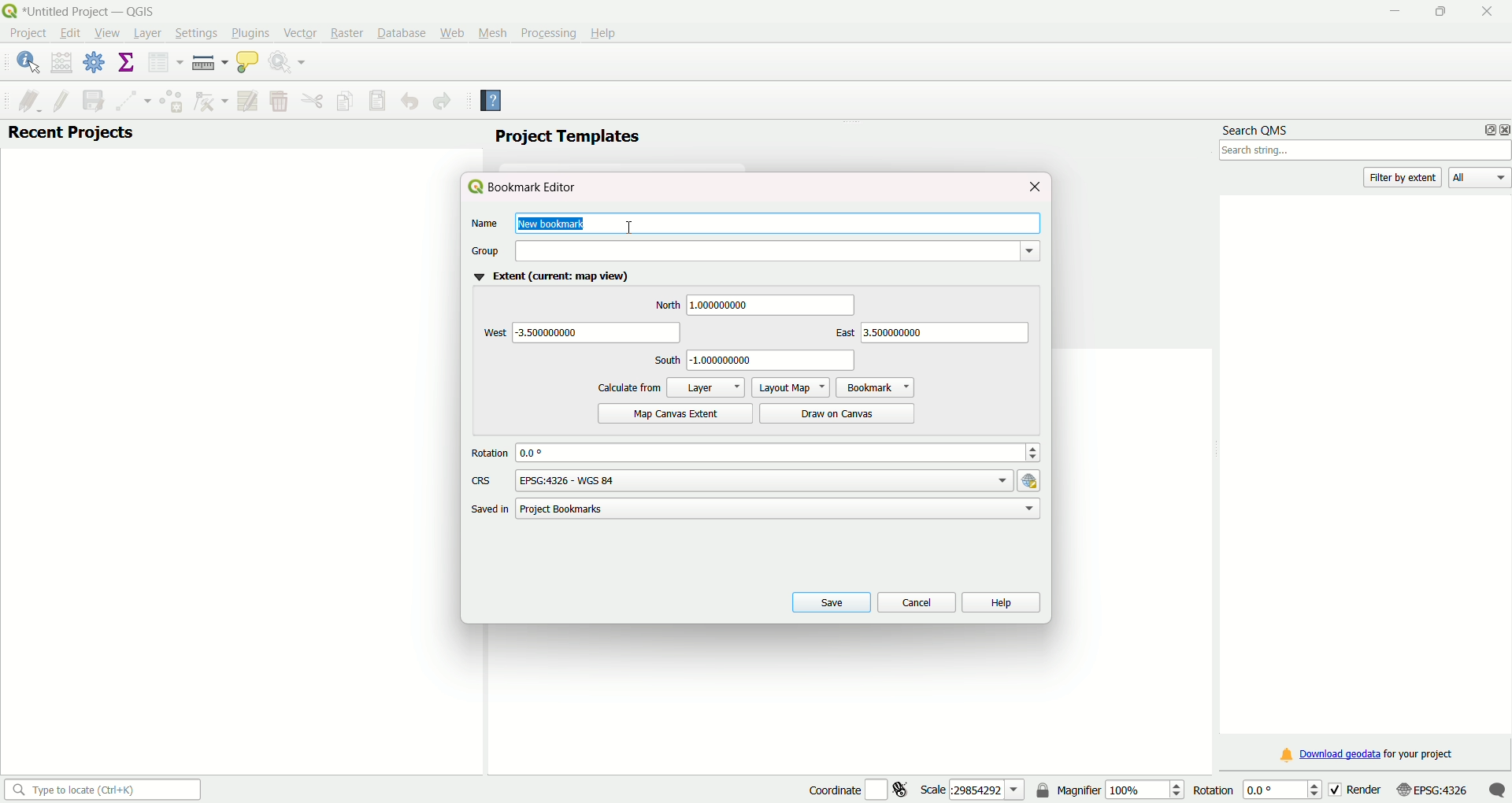  I want to click on map canvas extent, so click(673, 413).